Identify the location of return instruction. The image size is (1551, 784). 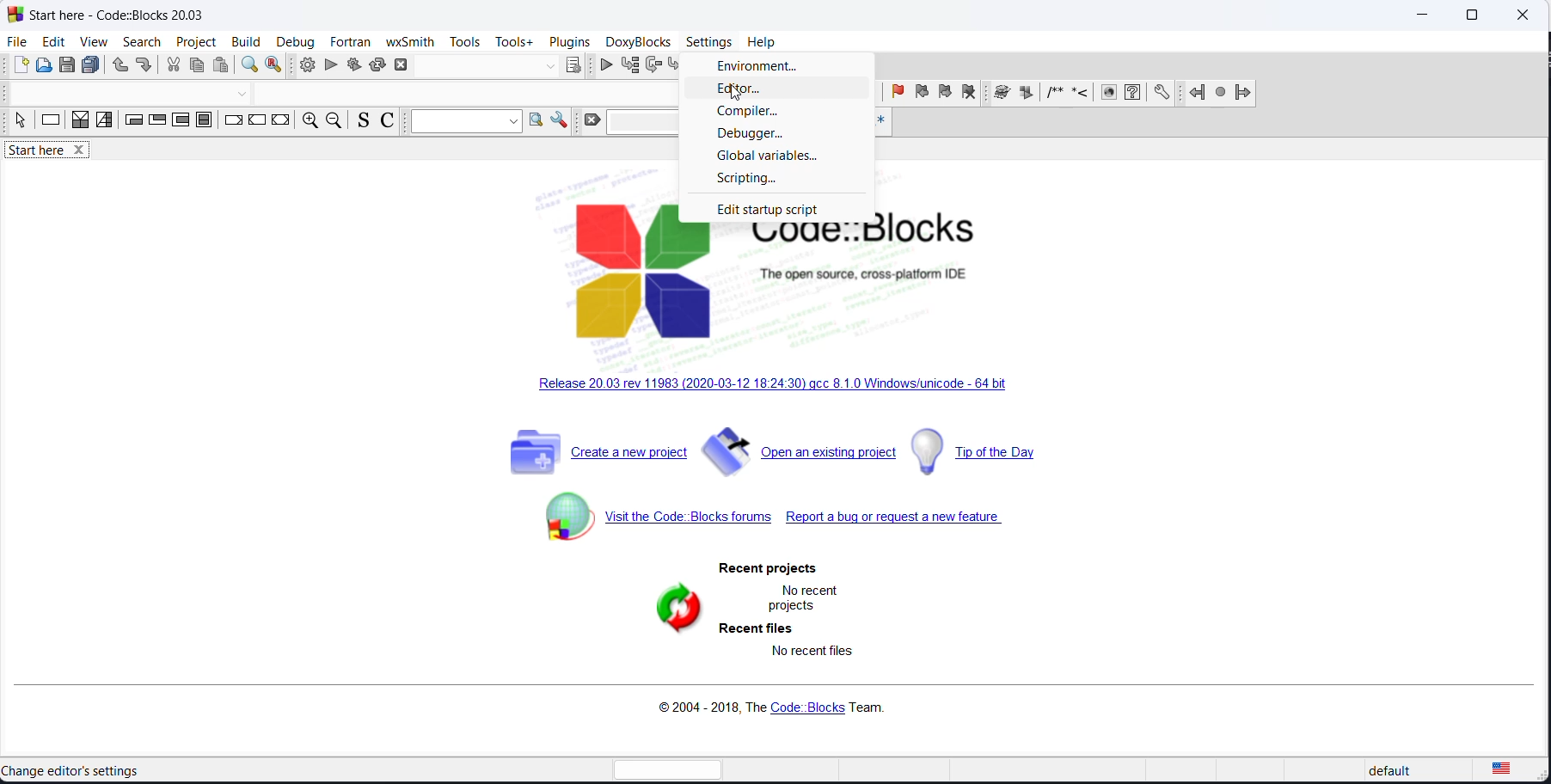
(280, 123).